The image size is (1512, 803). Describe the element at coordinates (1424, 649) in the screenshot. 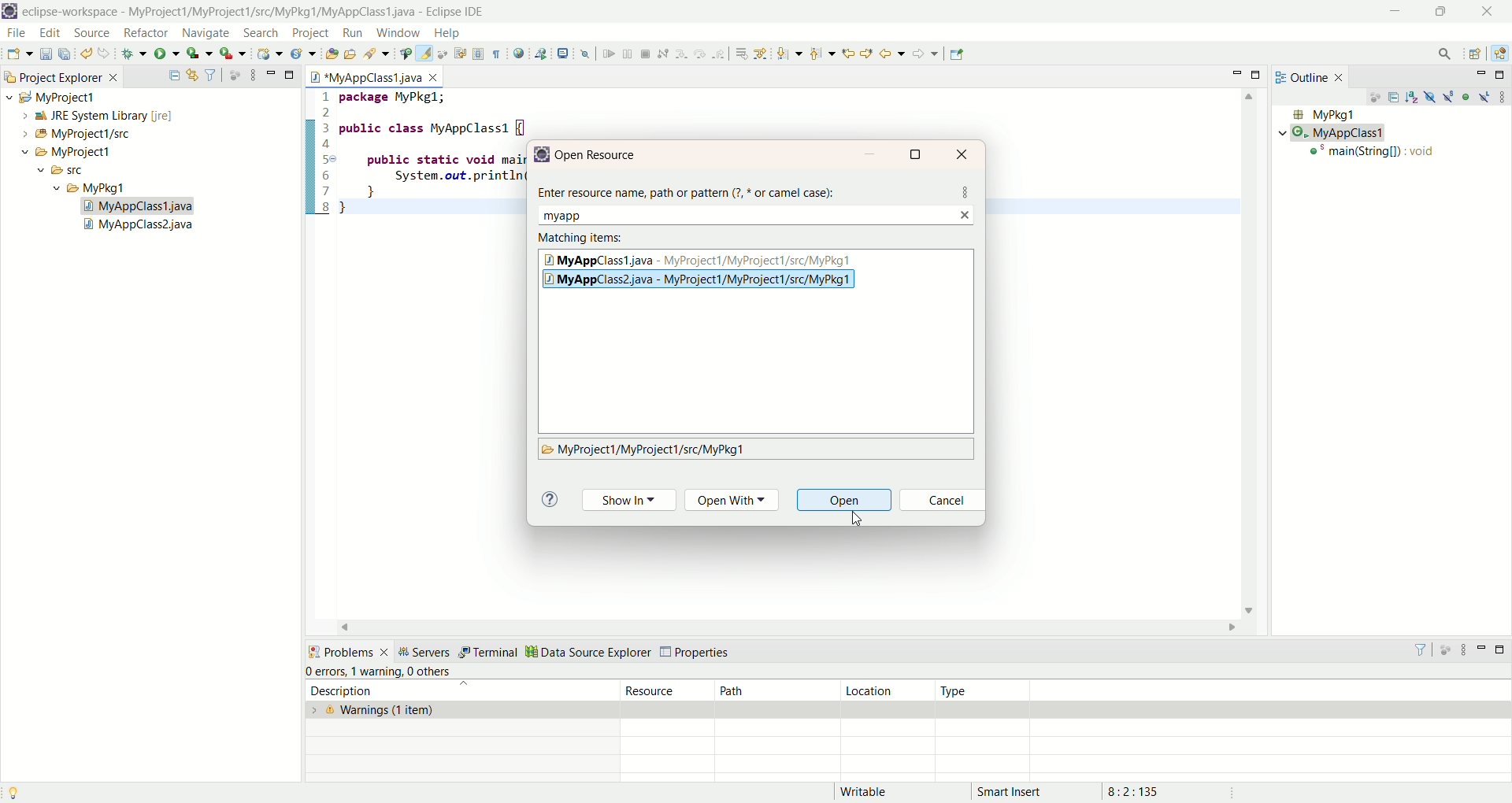

I see `filter` at that location.